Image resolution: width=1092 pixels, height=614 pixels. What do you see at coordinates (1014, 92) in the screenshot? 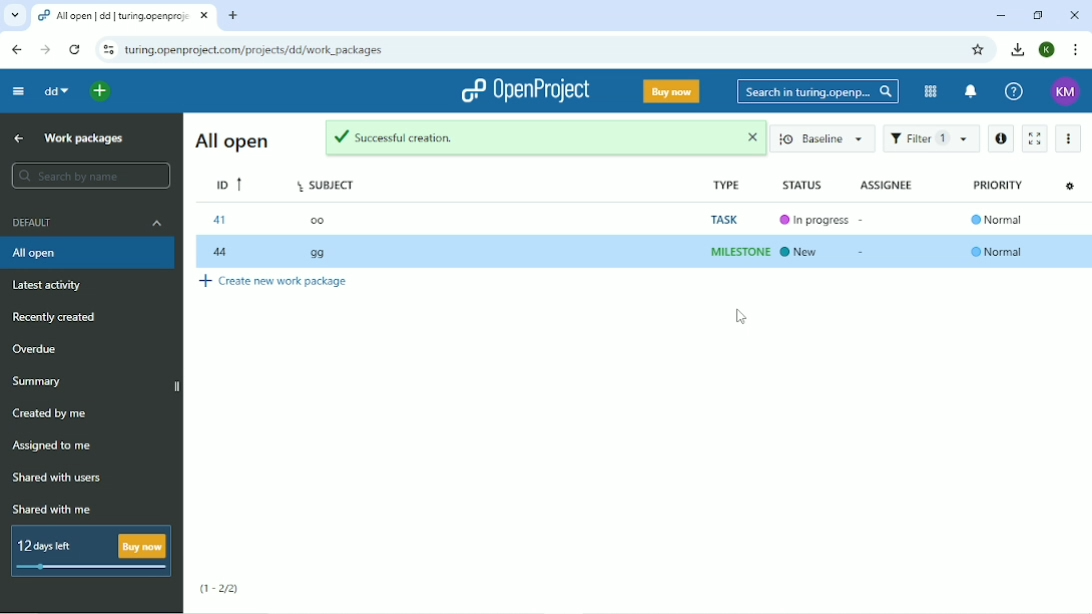
I see `Help` at bounding box center [1014, 92].